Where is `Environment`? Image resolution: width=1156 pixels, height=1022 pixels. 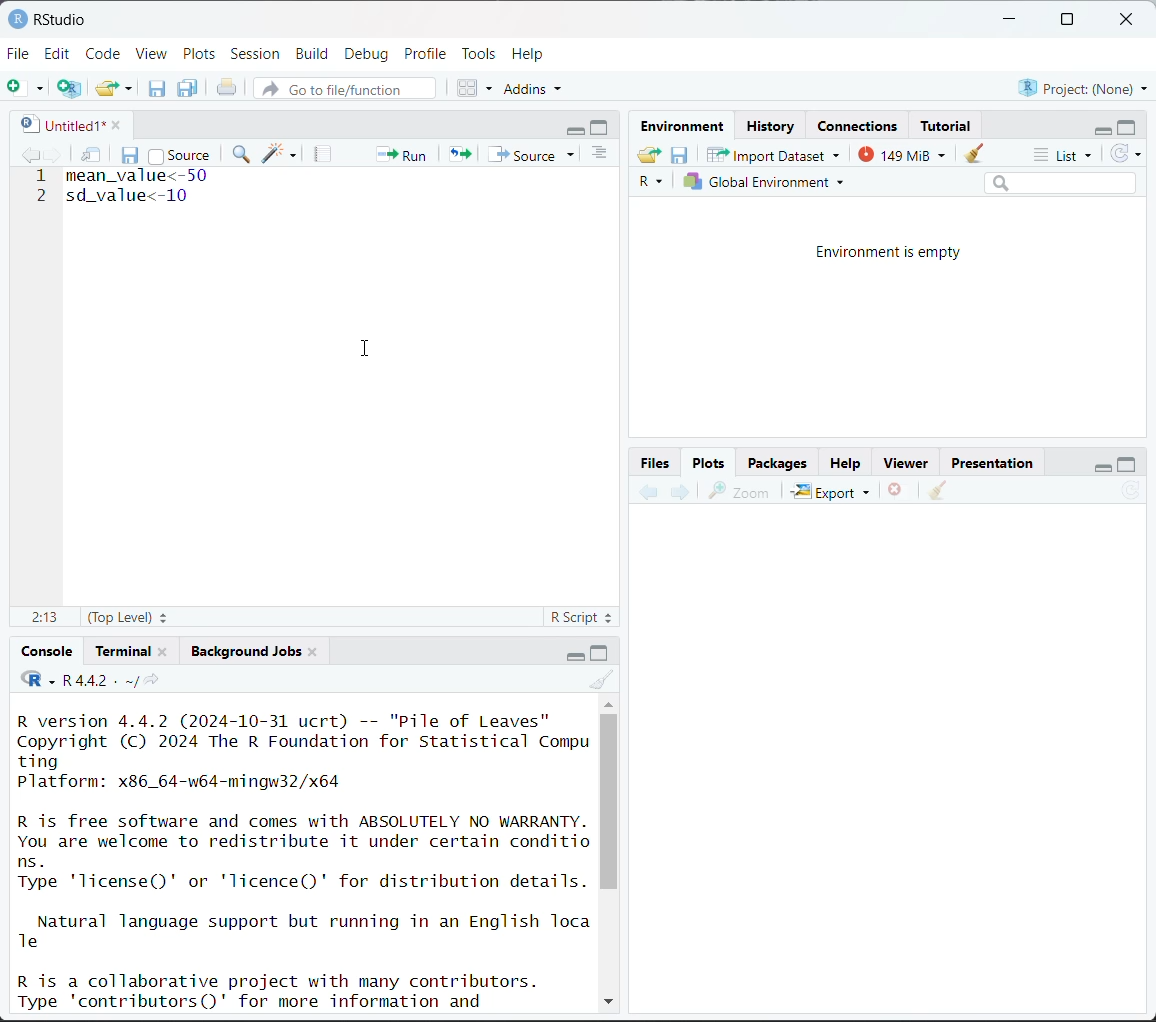 Environment is located at coordinates (686, 127).